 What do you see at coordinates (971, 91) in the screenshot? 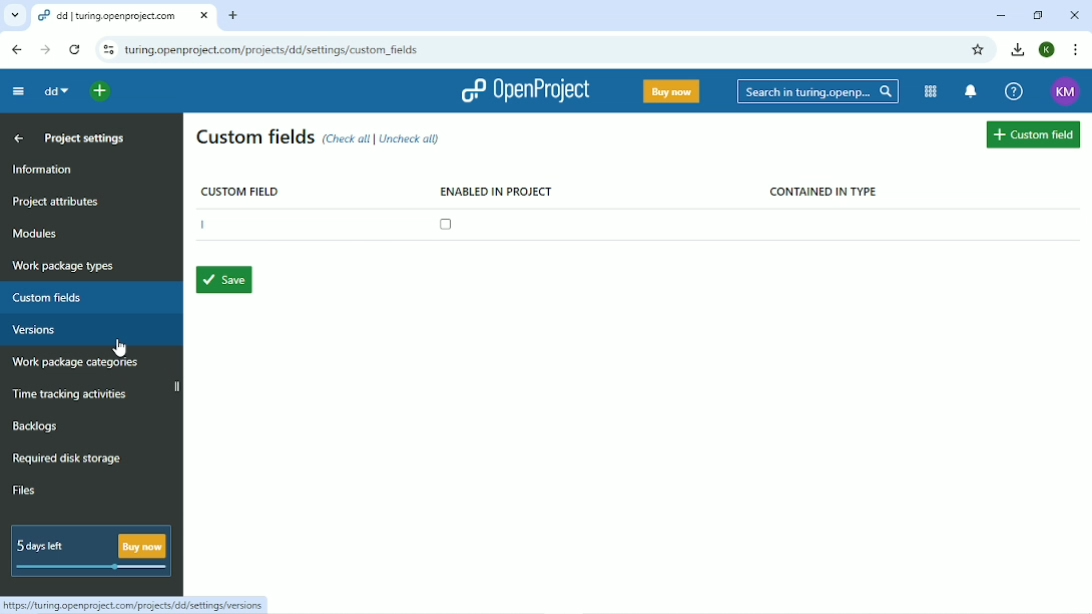
I see `To notification center` at bounding box center [971, 91].